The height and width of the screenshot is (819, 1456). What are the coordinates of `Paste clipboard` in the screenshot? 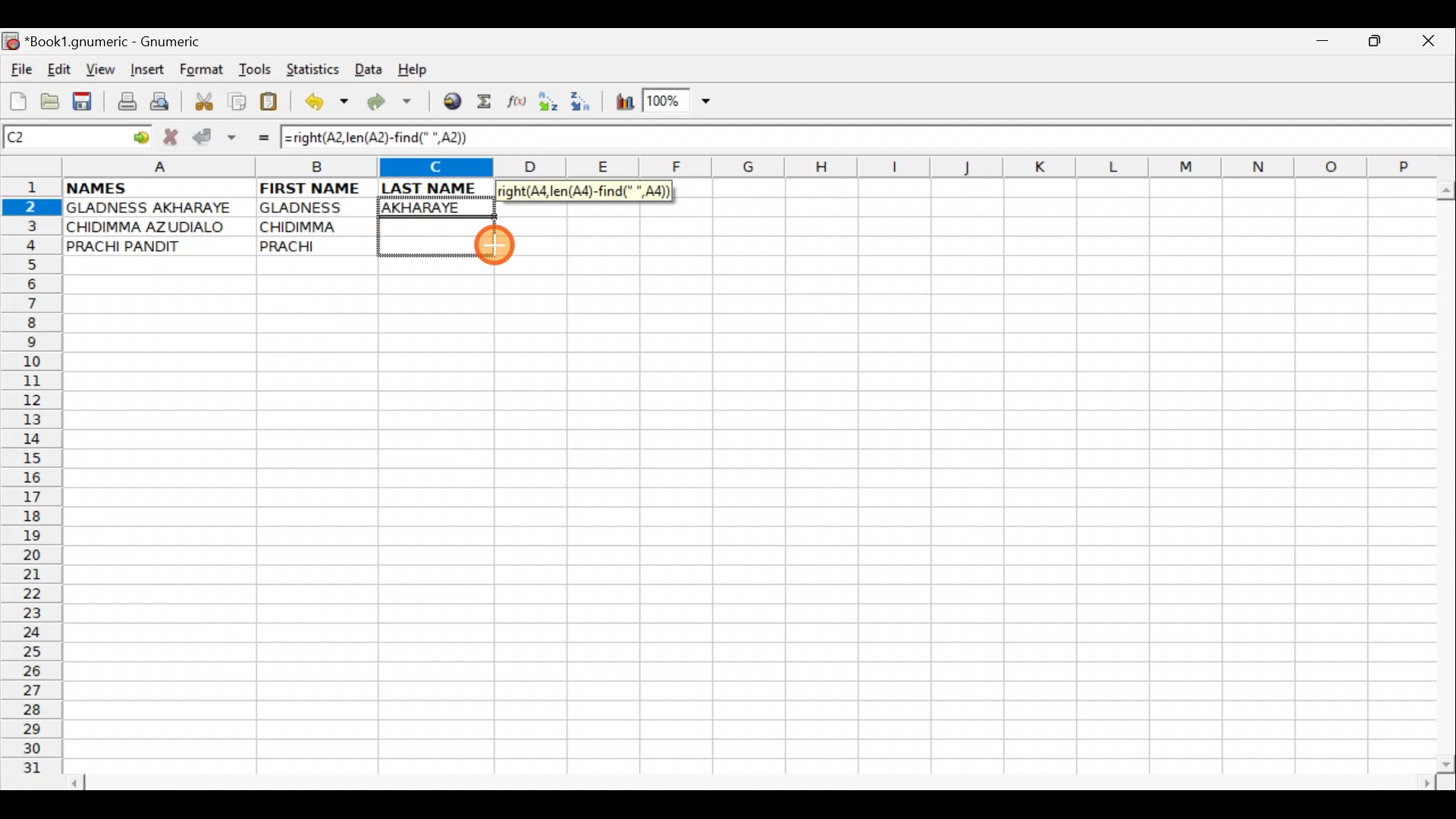 It's located at (274, 104).